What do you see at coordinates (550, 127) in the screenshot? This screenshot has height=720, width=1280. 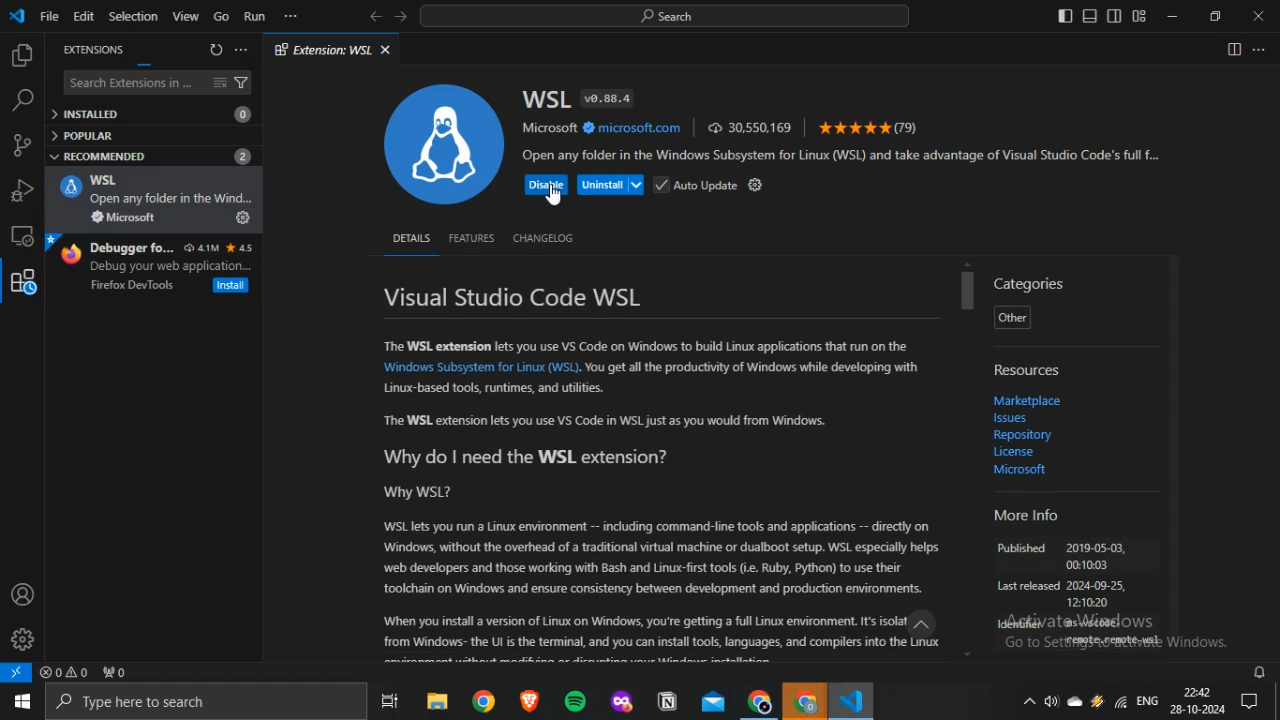 I see `Microsoft` at bounding box center [550, 127].